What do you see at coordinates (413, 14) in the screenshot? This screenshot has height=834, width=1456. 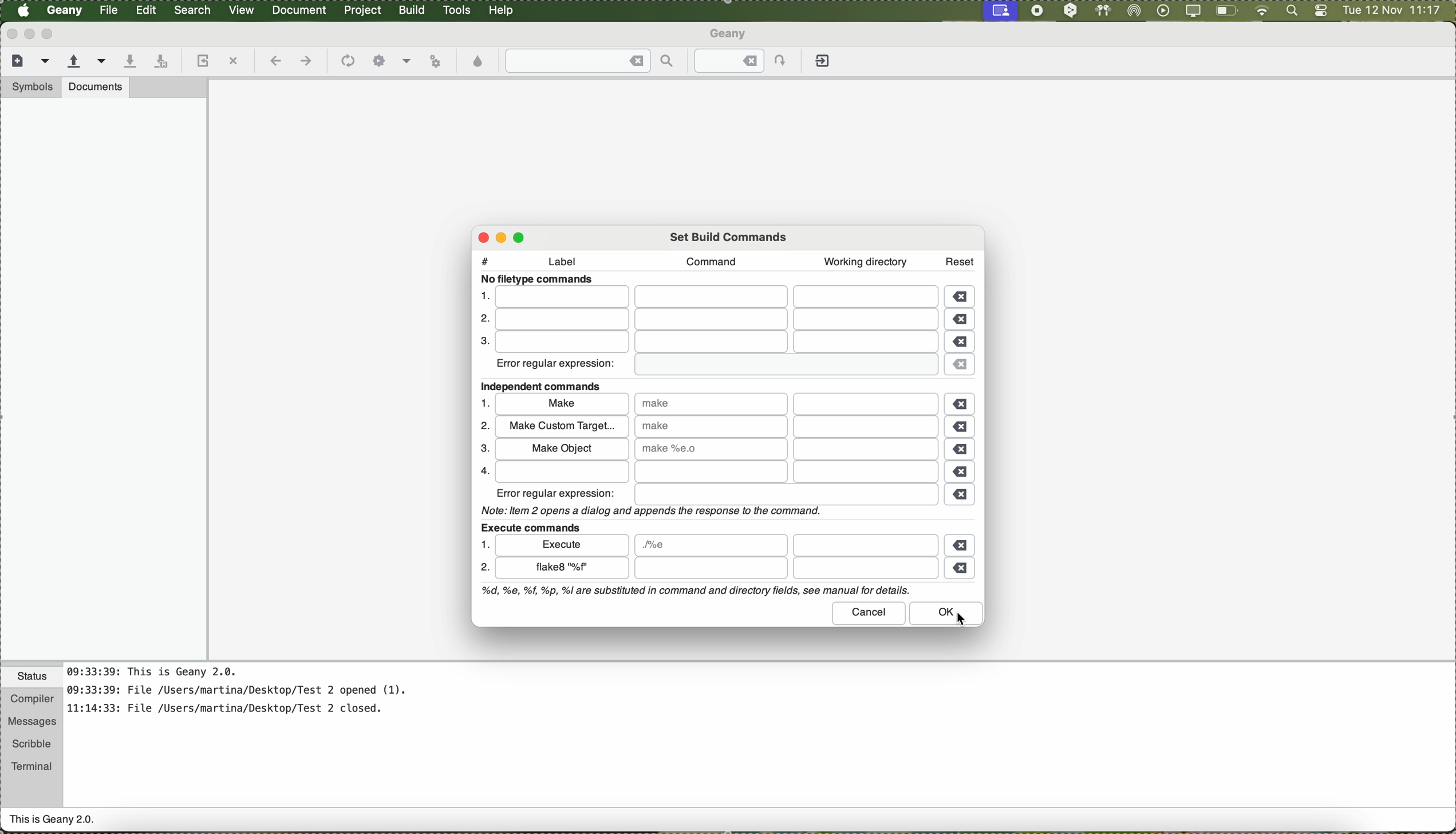 I see `click on build` at bounding box center [413, 14].